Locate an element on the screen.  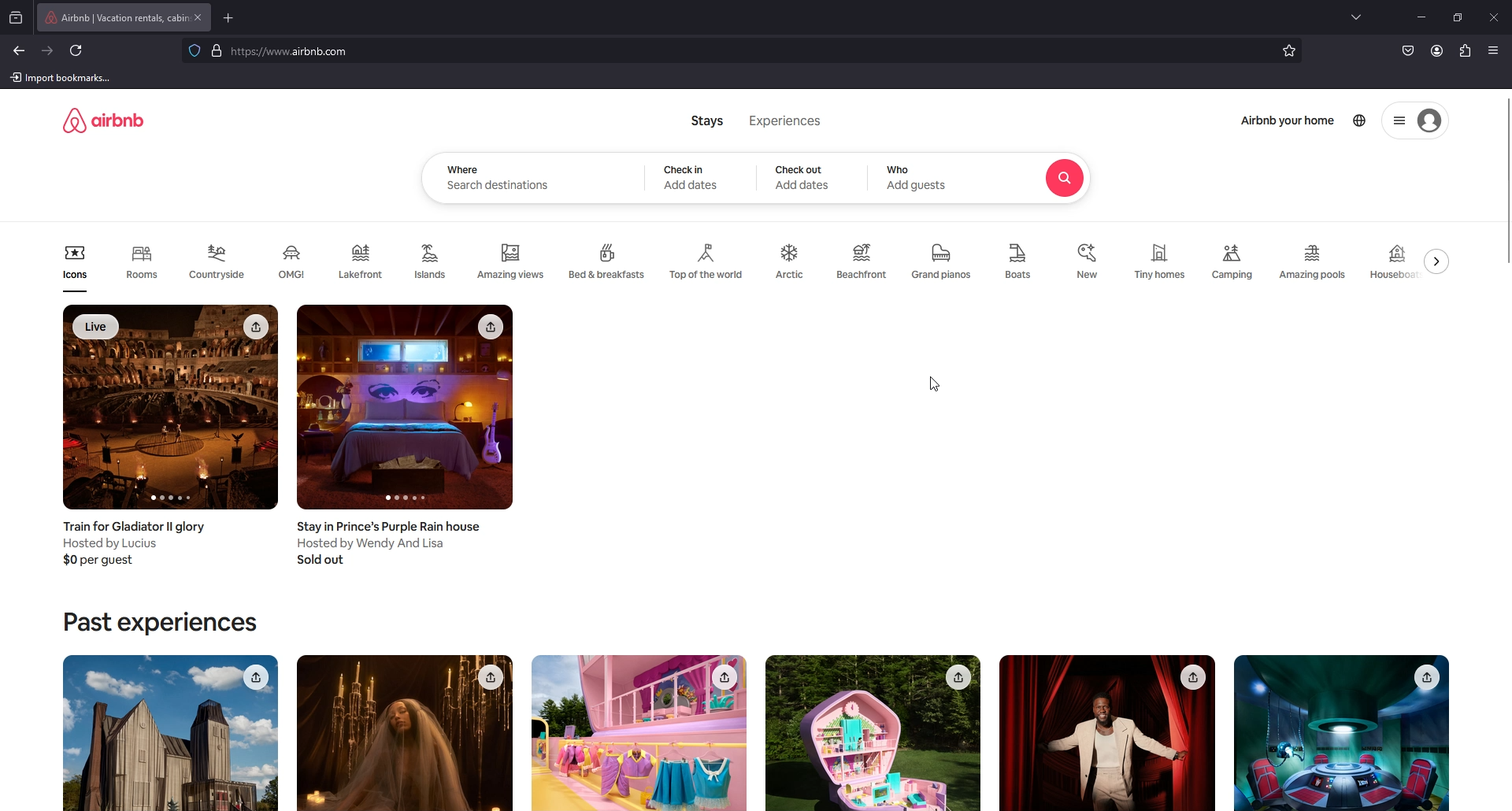
Stays  is located at coordinates (708, 120).